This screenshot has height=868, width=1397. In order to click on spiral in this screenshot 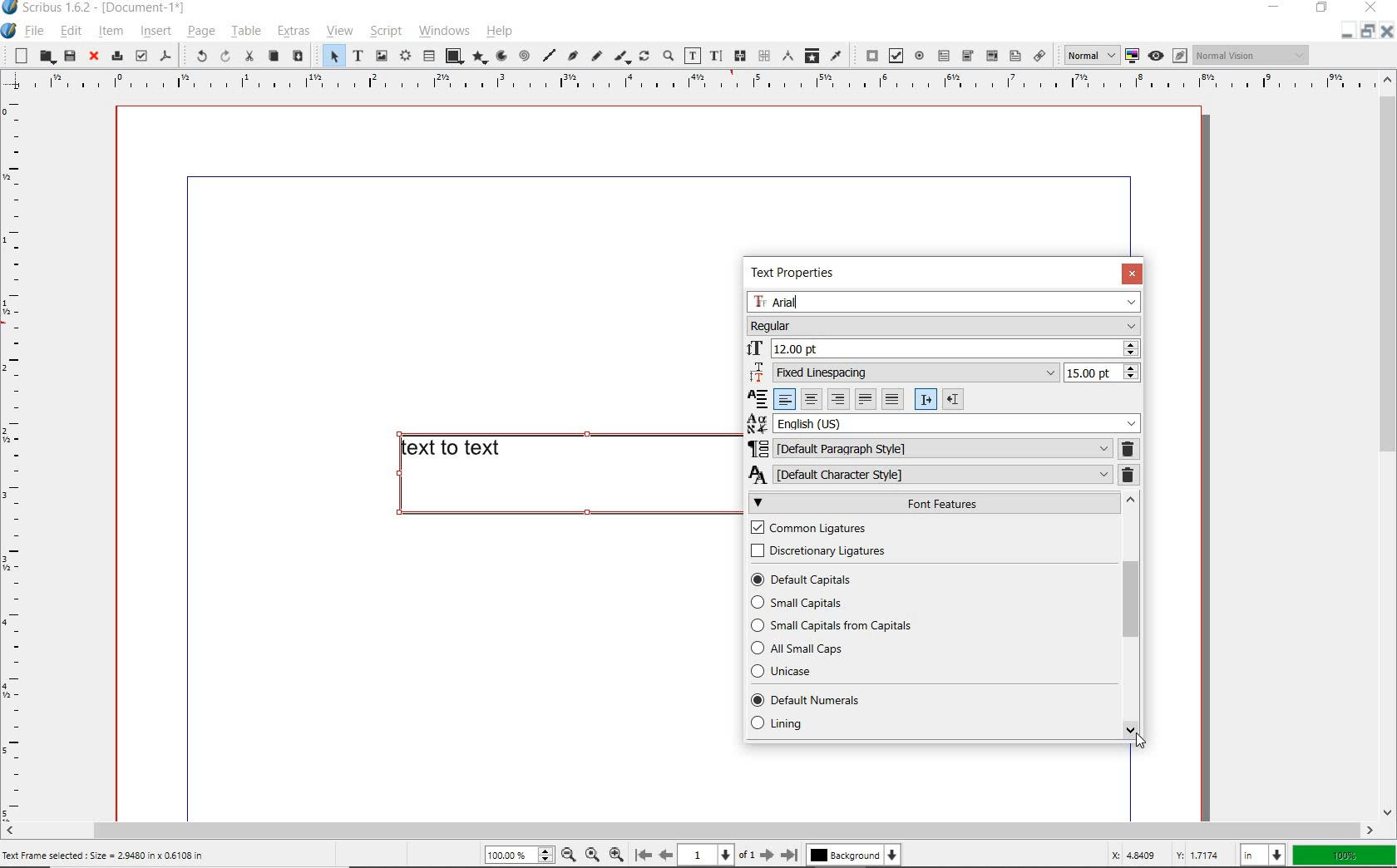, I will do `click(524, 57)`.